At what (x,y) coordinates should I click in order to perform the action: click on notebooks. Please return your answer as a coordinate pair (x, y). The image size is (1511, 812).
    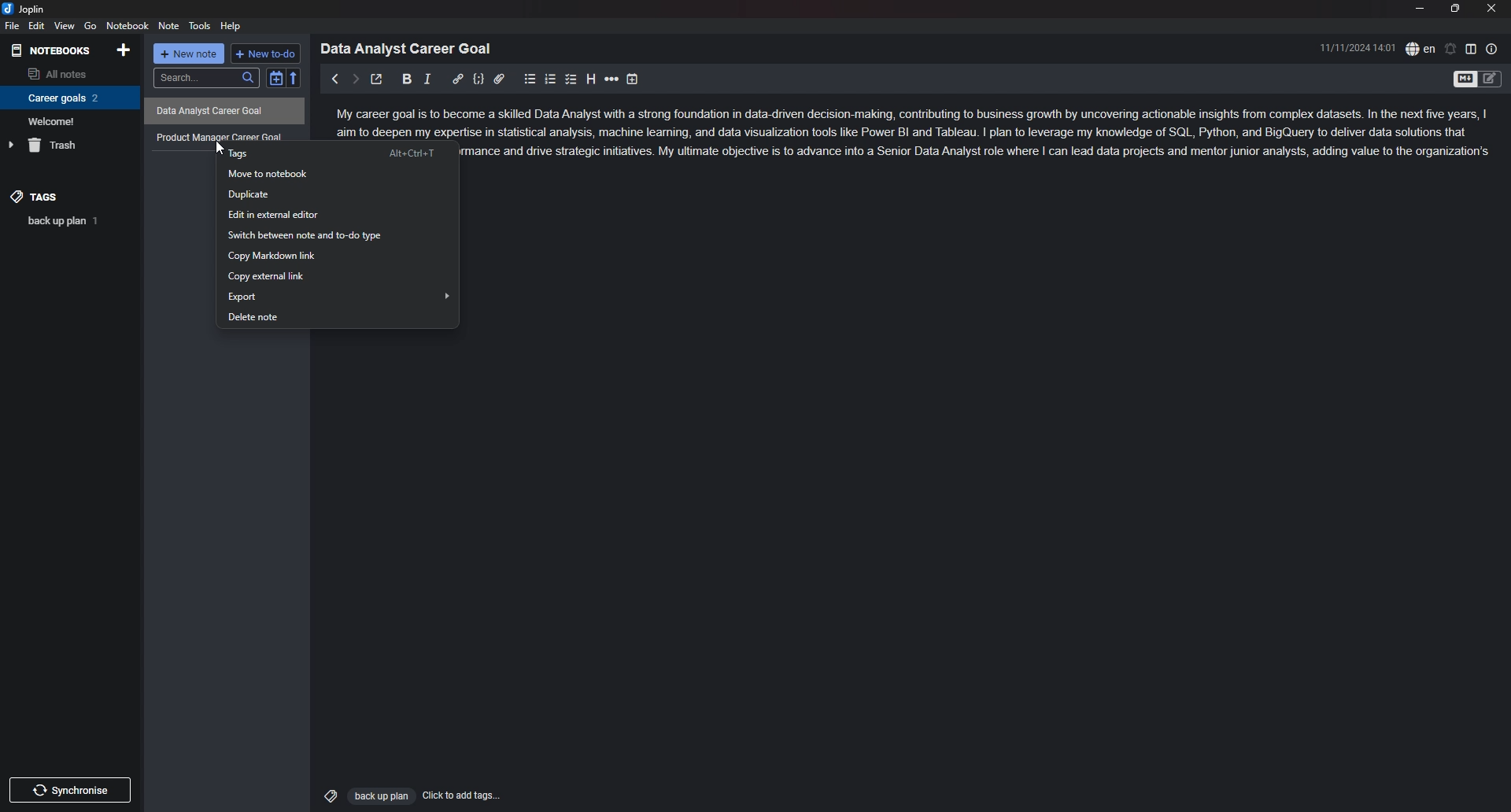
    Looking at the image, I should click on (53, 51).